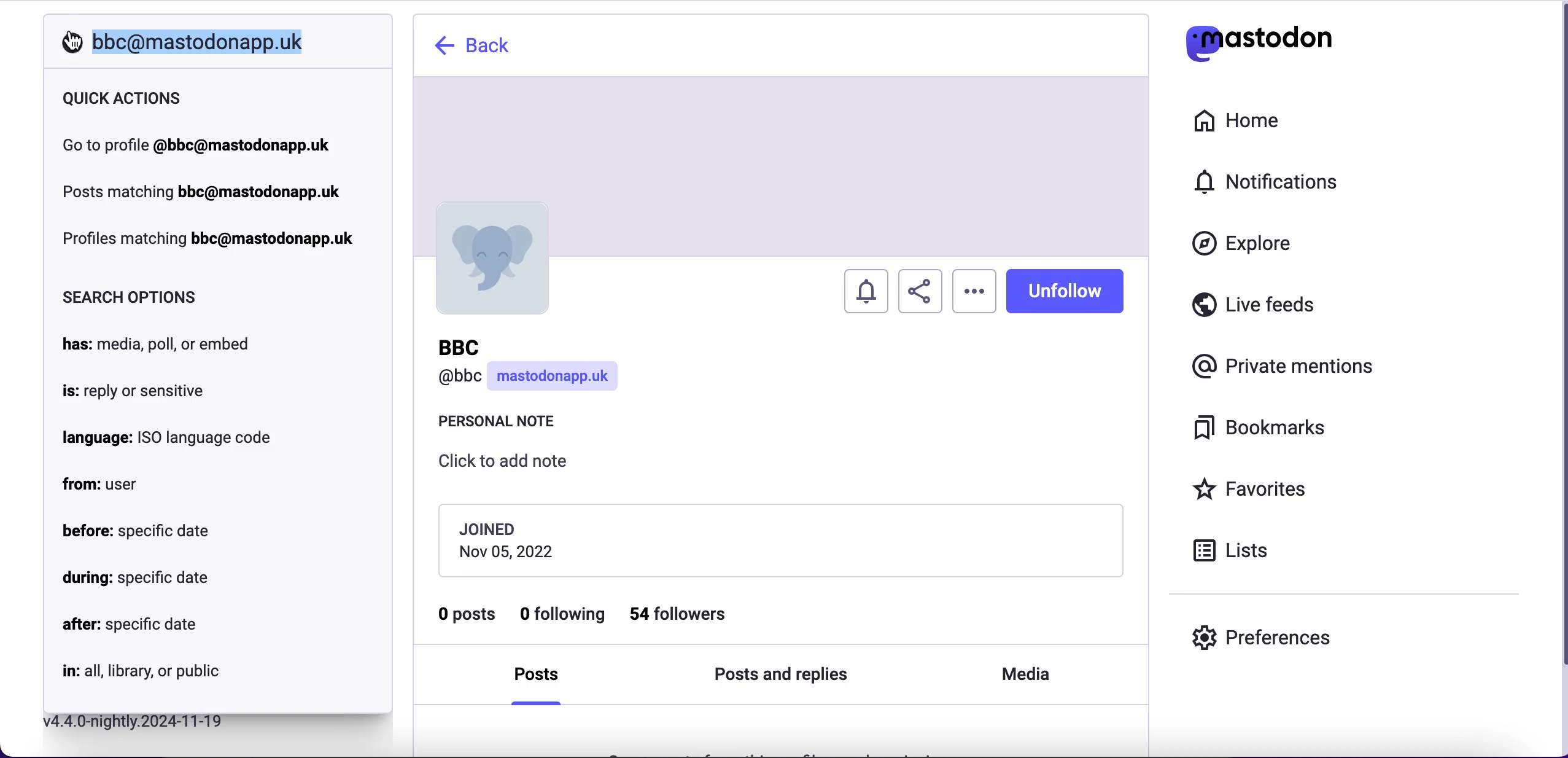 This screenshot has width=1568, height=758. Describe the element at coordinates (133, 393) in the screenshot. I see `is: reply or sensitive` at that location.